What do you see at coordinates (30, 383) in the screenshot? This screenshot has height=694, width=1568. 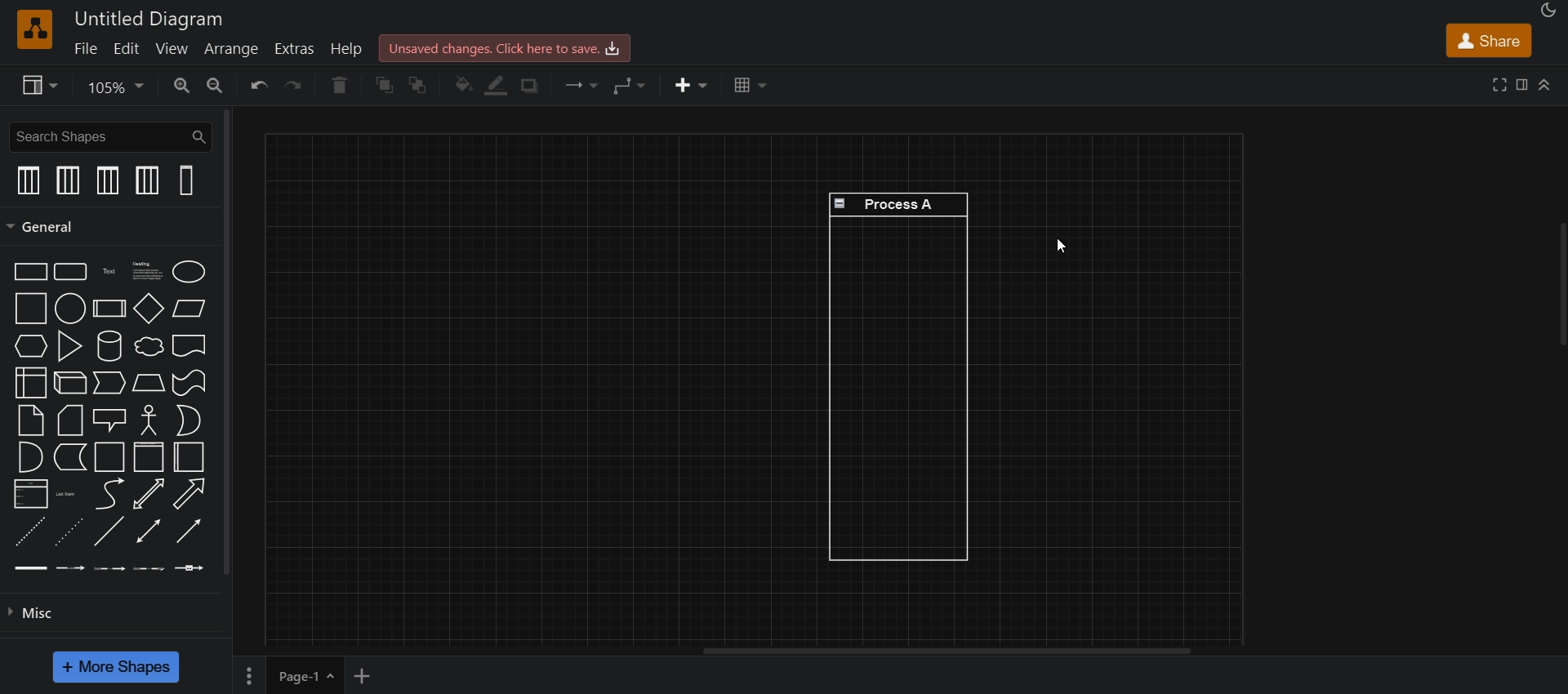 I see `internal storage` at bounding box center [30, 383].